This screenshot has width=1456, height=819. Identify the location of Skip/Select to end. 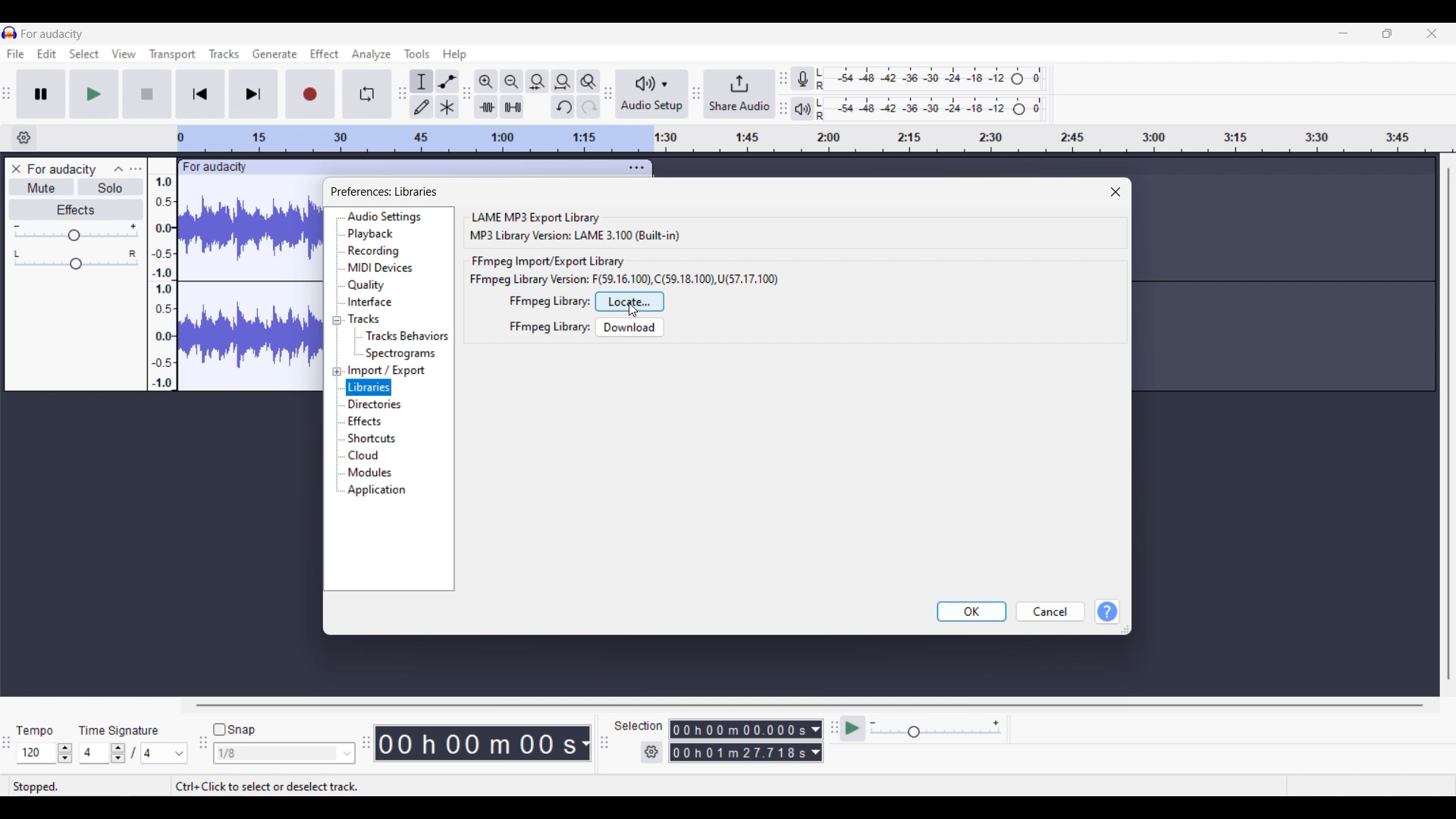
(253, 94).